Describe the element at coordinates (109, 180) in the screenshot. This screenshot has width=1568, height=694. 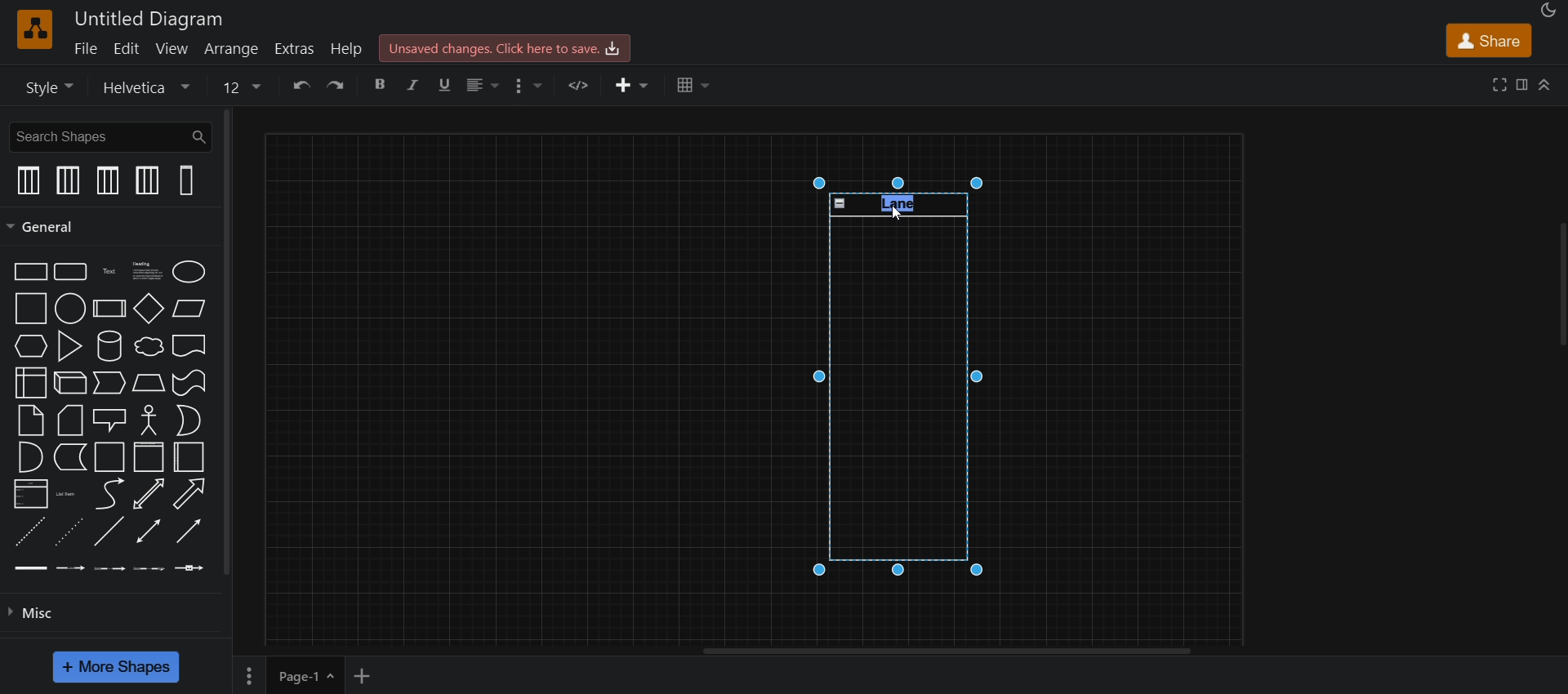
I see `vertical pool 1` at that location.